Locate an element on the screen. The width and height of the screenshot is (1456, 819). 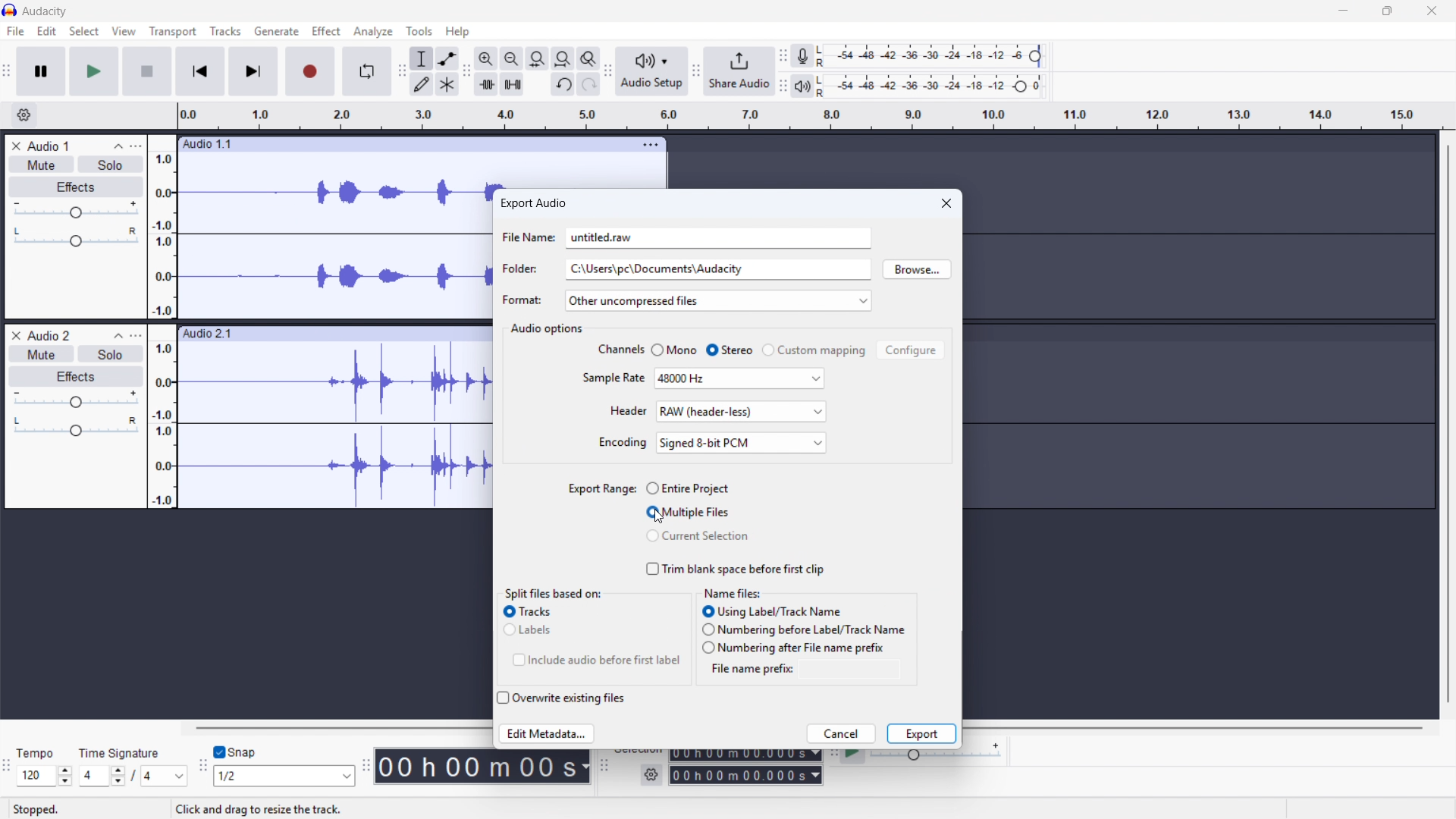
gain  is located at coordinates (76, 400).